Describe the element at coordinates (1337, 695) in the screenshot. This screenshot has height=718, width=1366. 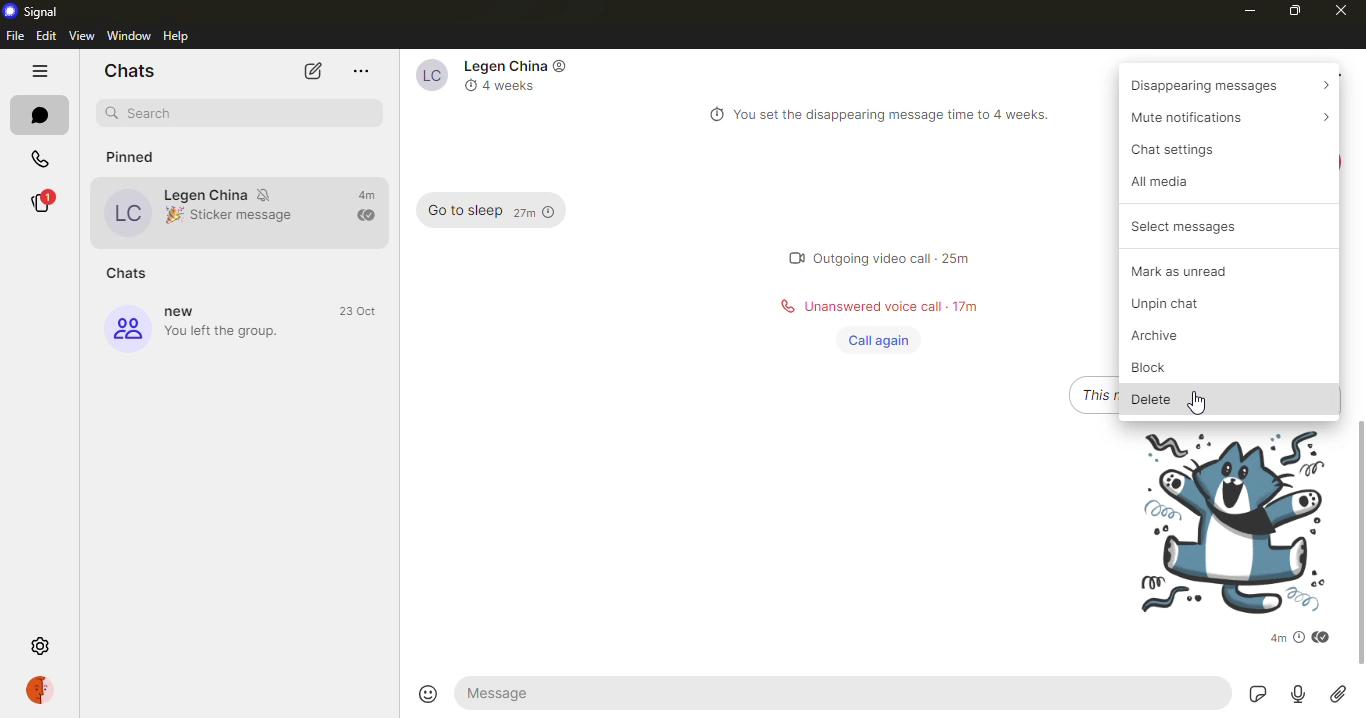
I see `attach` at that location.